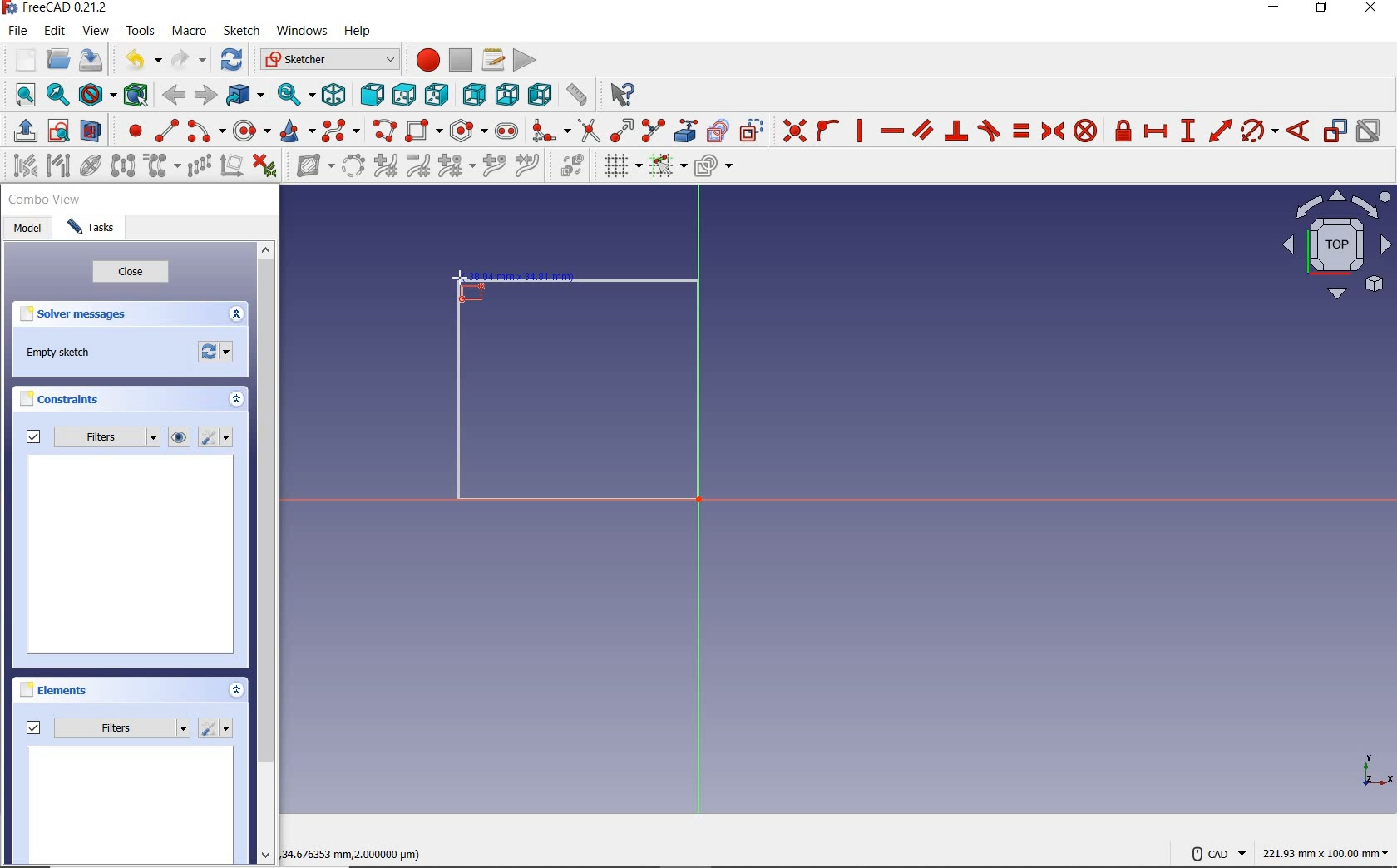 The height and width of the screenshot is (868, 1397). Describe the element at coordinates (337, 95) in the screenshot. I see `isometric` at that location.